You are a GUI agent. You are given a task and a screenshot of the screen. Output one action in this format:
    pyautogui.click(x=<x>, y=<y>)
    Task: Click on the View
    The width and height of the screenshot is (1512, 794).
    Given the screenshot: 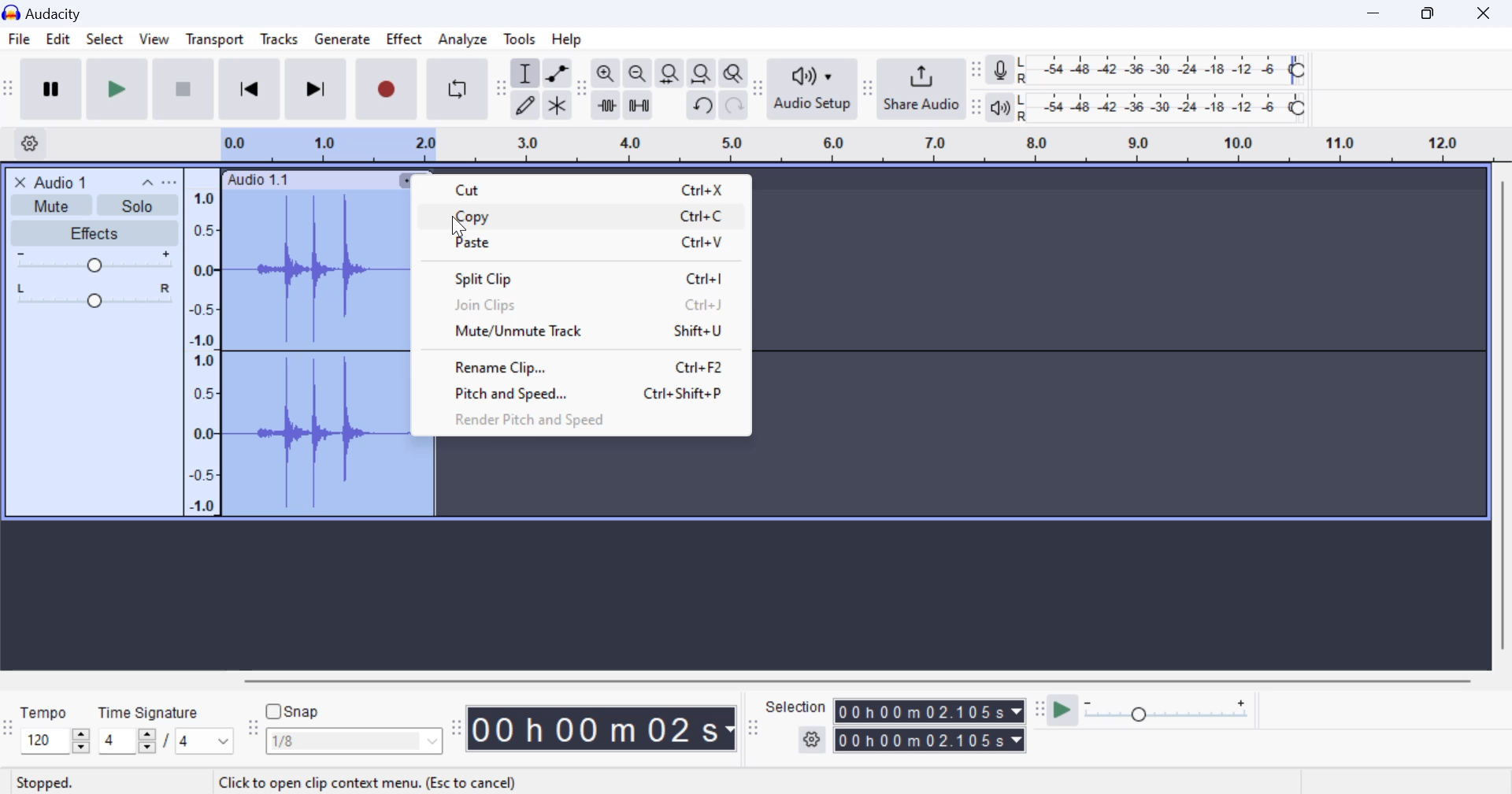 What is the action you would take?
    pyautogui.click(x=153, y=43)
    